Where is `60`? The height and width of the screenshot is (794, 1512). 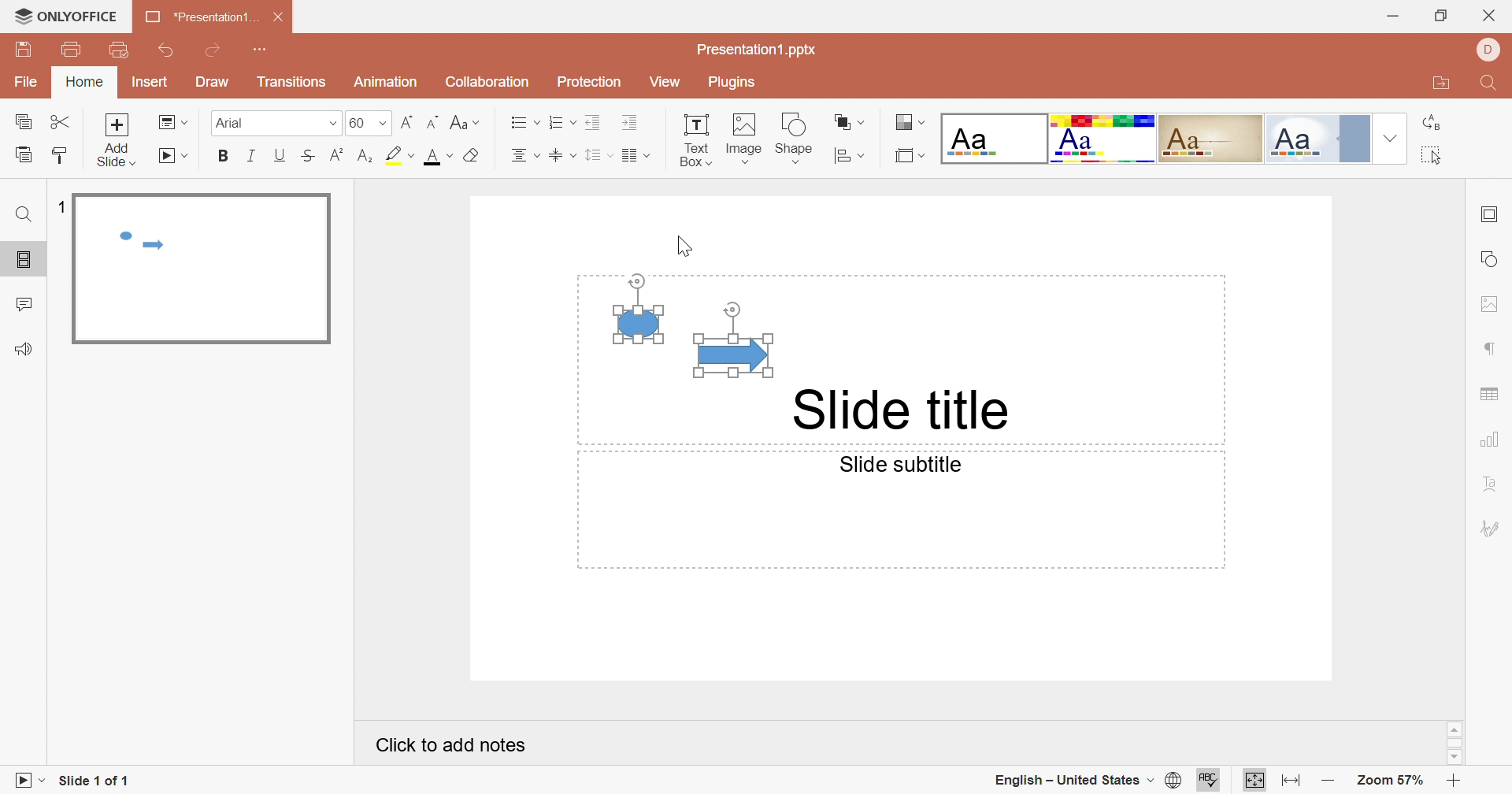 60 is located at coordinates (365, 124).